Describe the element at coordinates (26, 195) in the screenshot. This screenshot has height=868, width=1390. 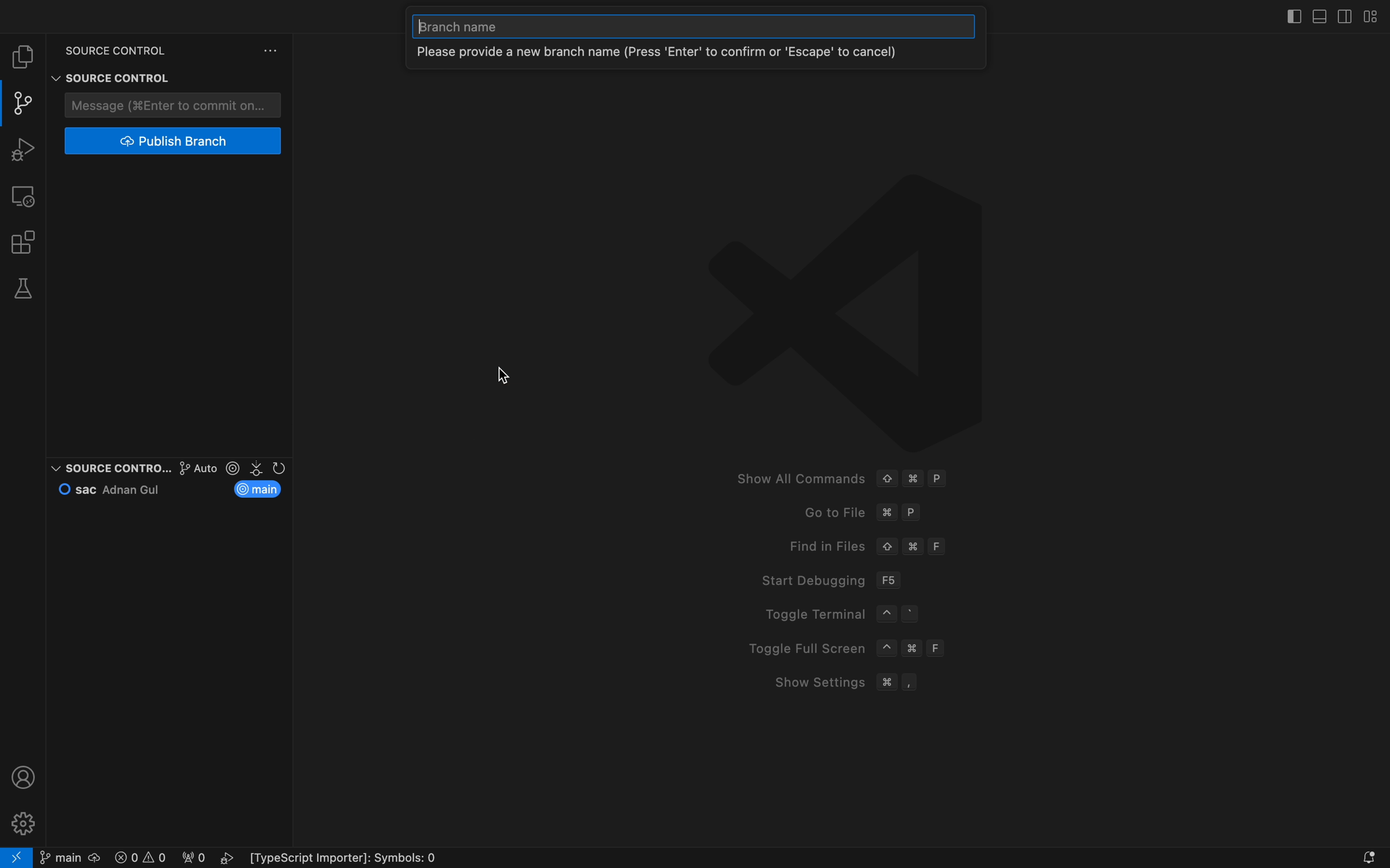
I see `remote` at that location.